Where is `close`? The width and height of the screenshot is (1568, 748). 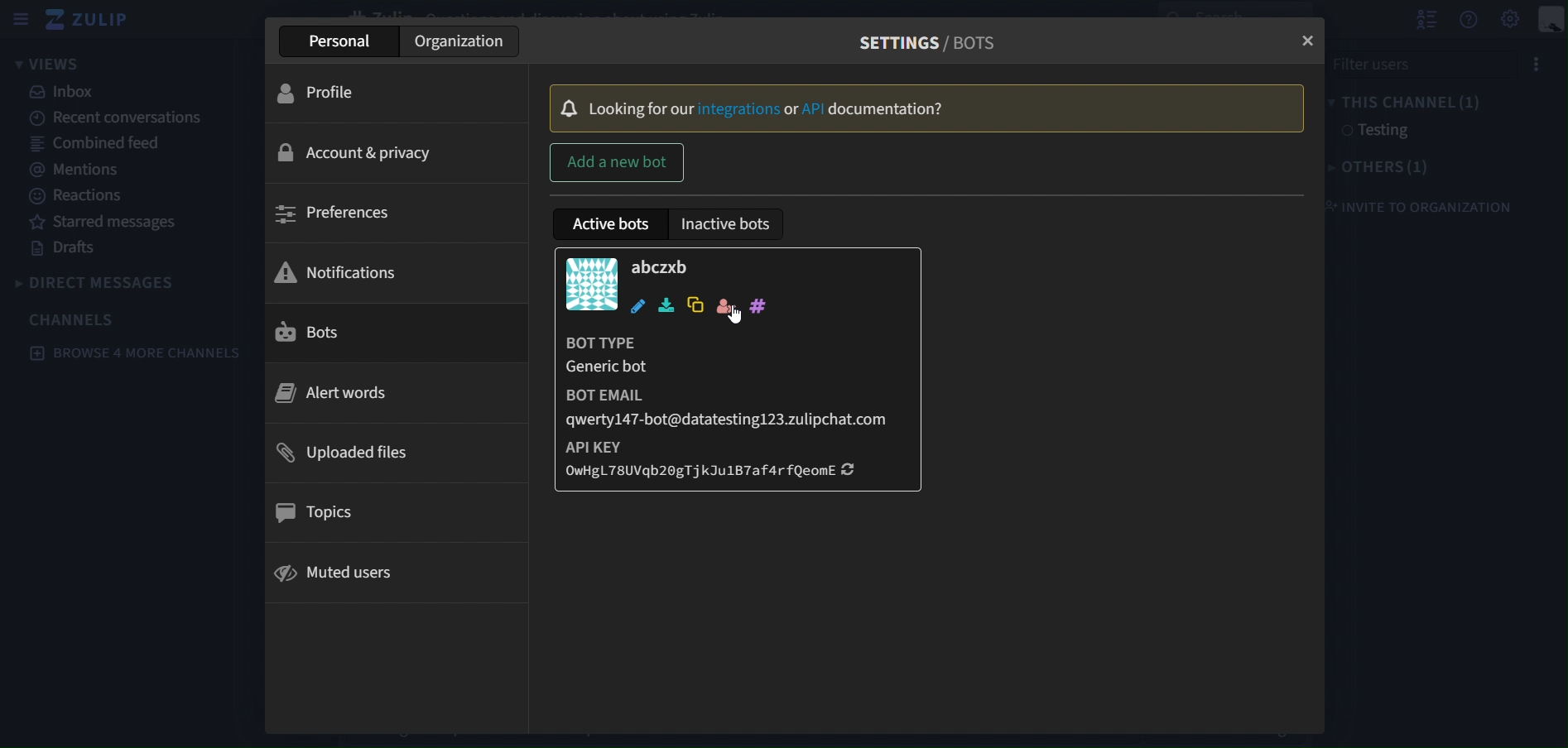 close is located at coordinates (1306, 40).